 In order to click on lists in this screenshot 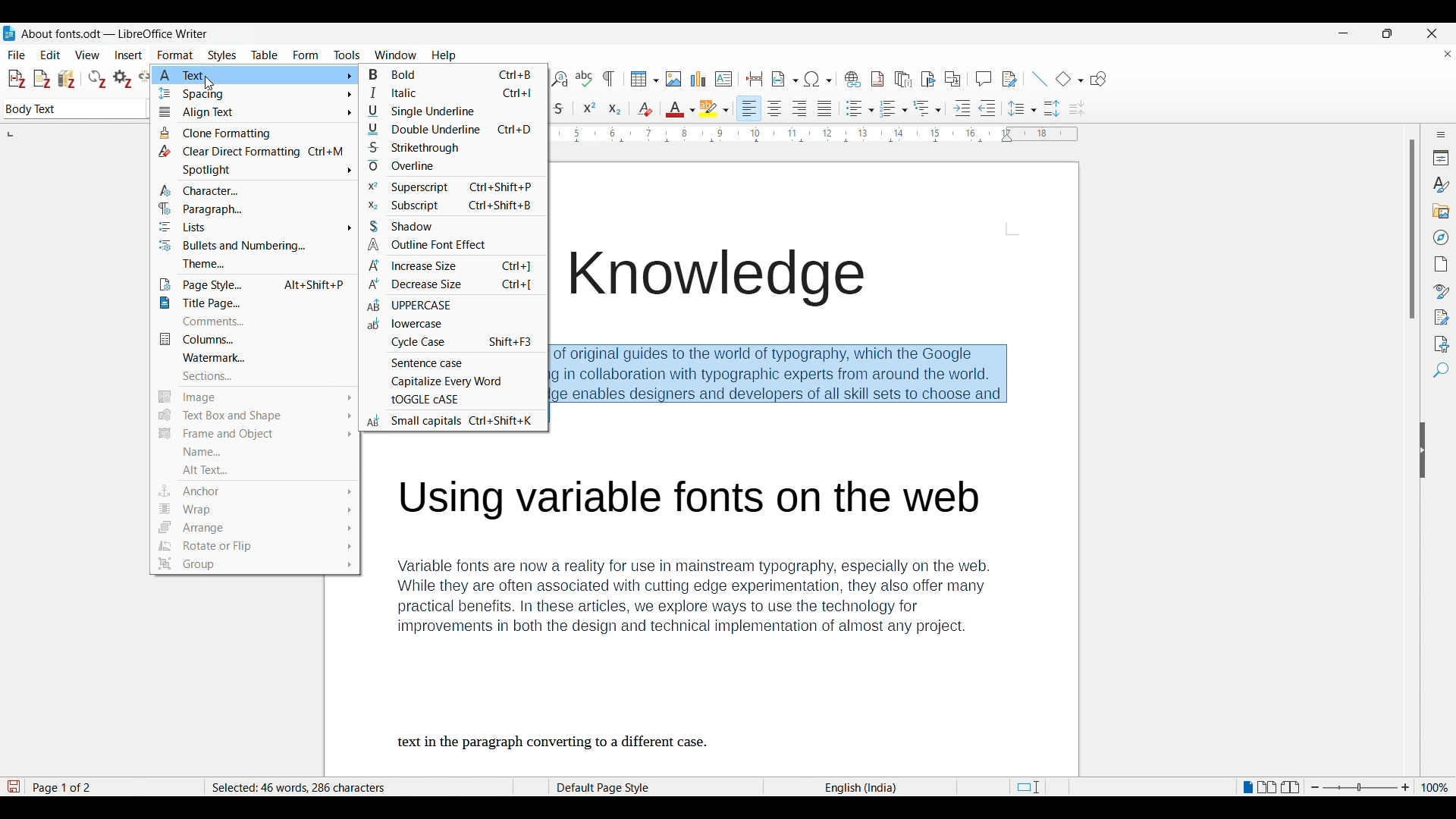, I will do `click(186, 228)`.